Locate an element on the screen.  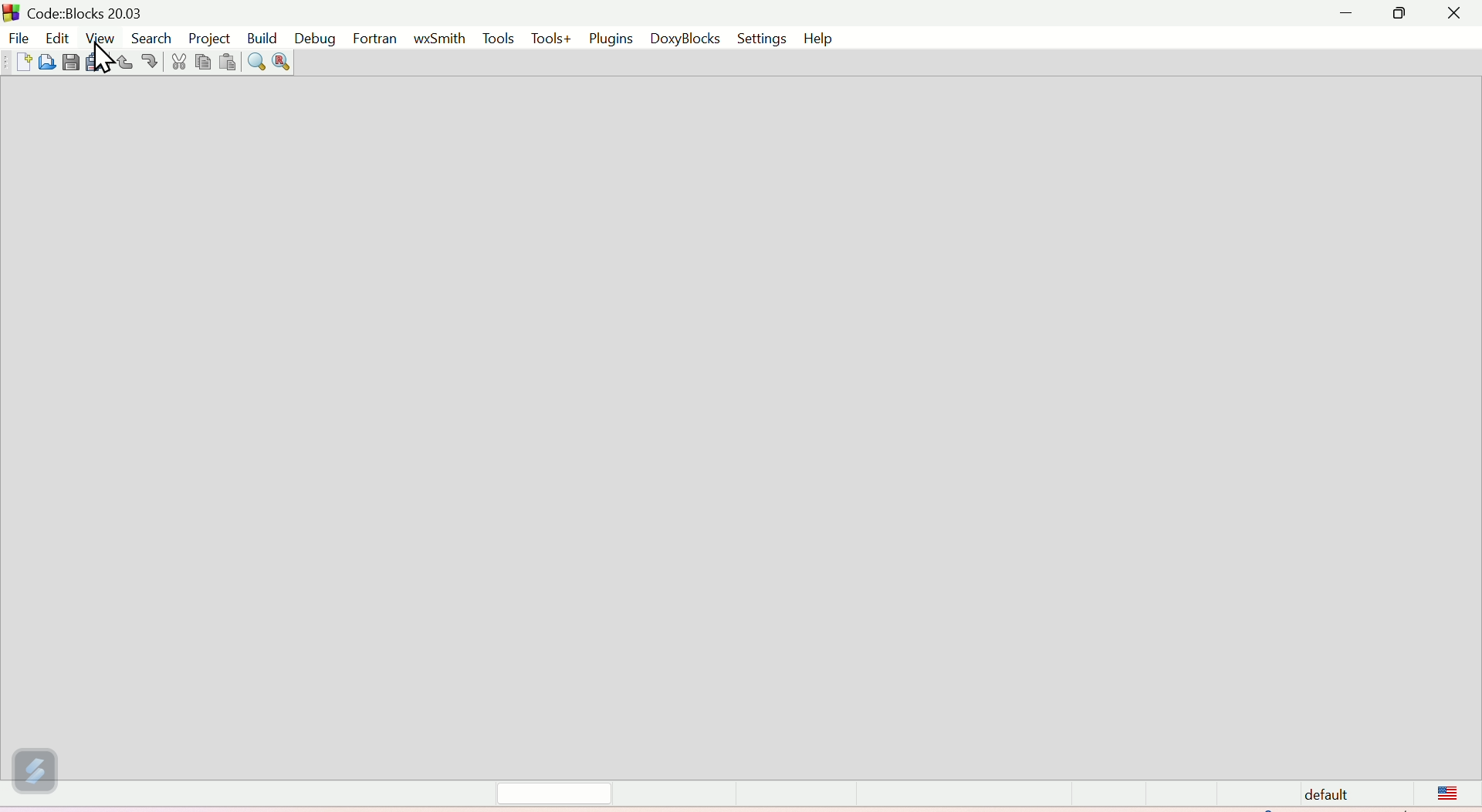
Replace is located at coordinates (281, 62).